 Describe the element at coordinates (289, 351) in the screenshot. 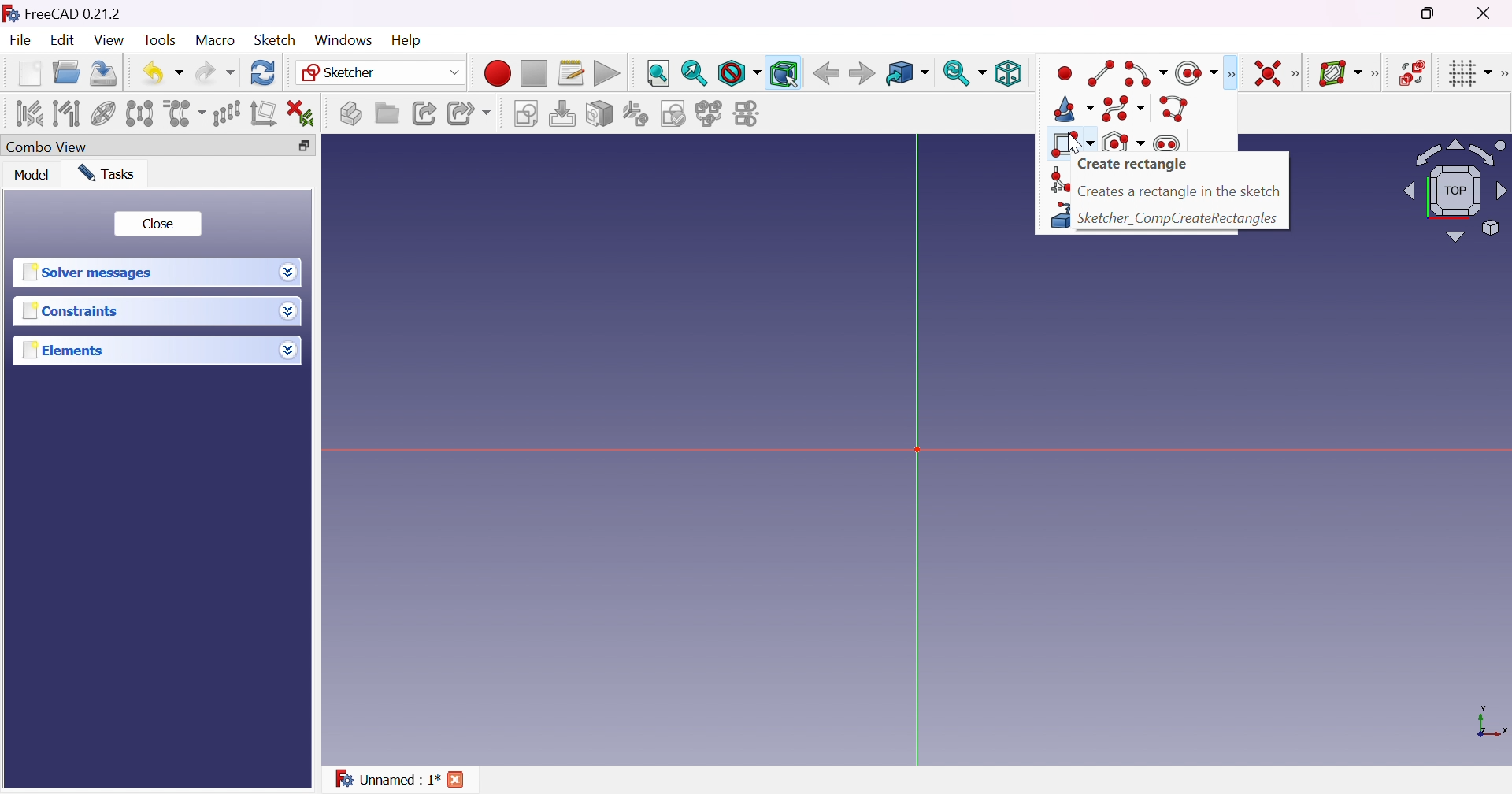

I see `Drop down` at that location.